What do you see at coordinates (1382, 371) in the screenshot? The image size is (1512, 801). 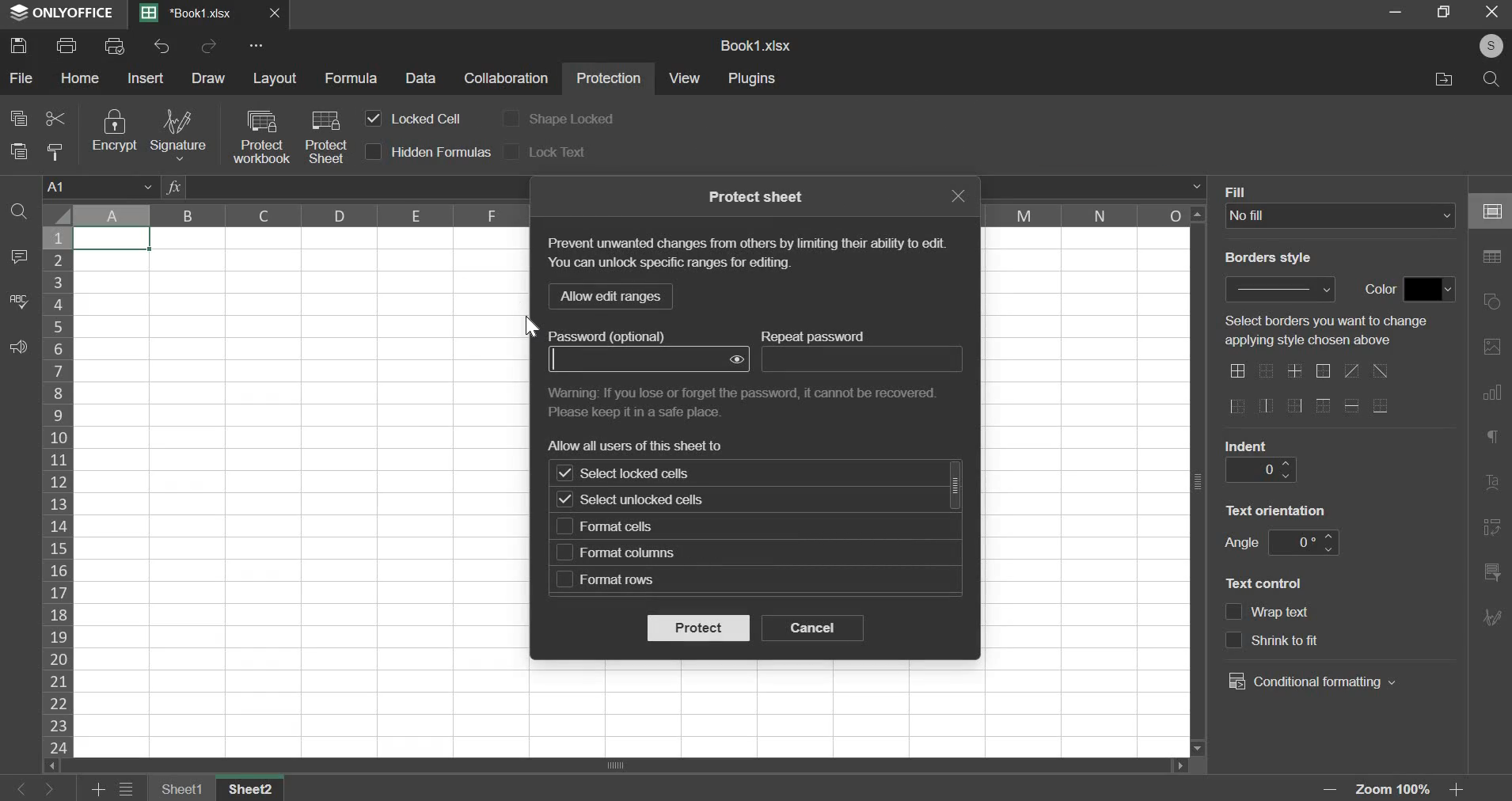 I see `border options` at bounding box center [1382, 371].